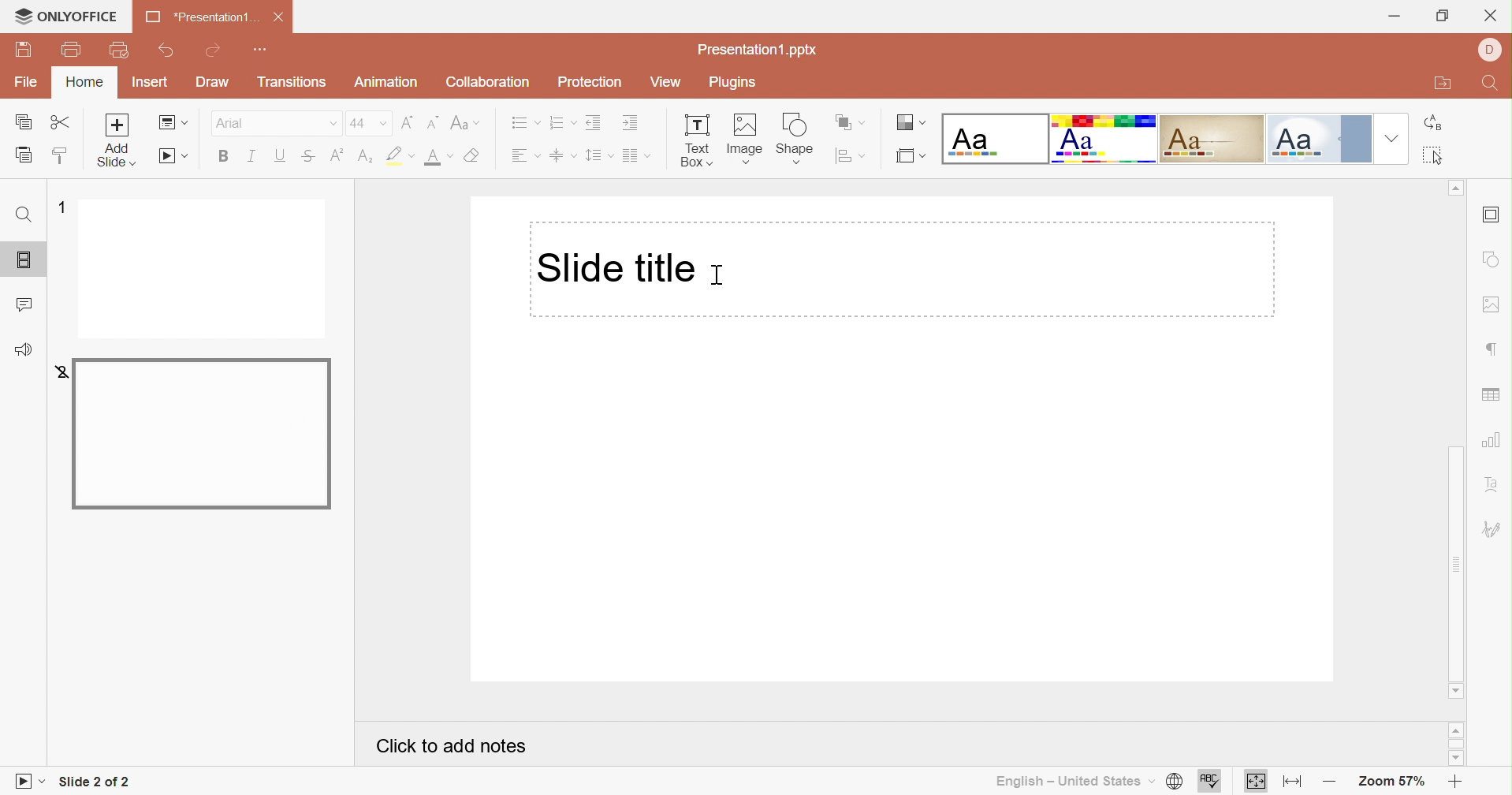 Image resolution: width=1512 pixels, height=795 pixels. What do you see at coordinates (173, 123) in the screenshot?
I see `Change slide layout` at bounding box center [173, 123].